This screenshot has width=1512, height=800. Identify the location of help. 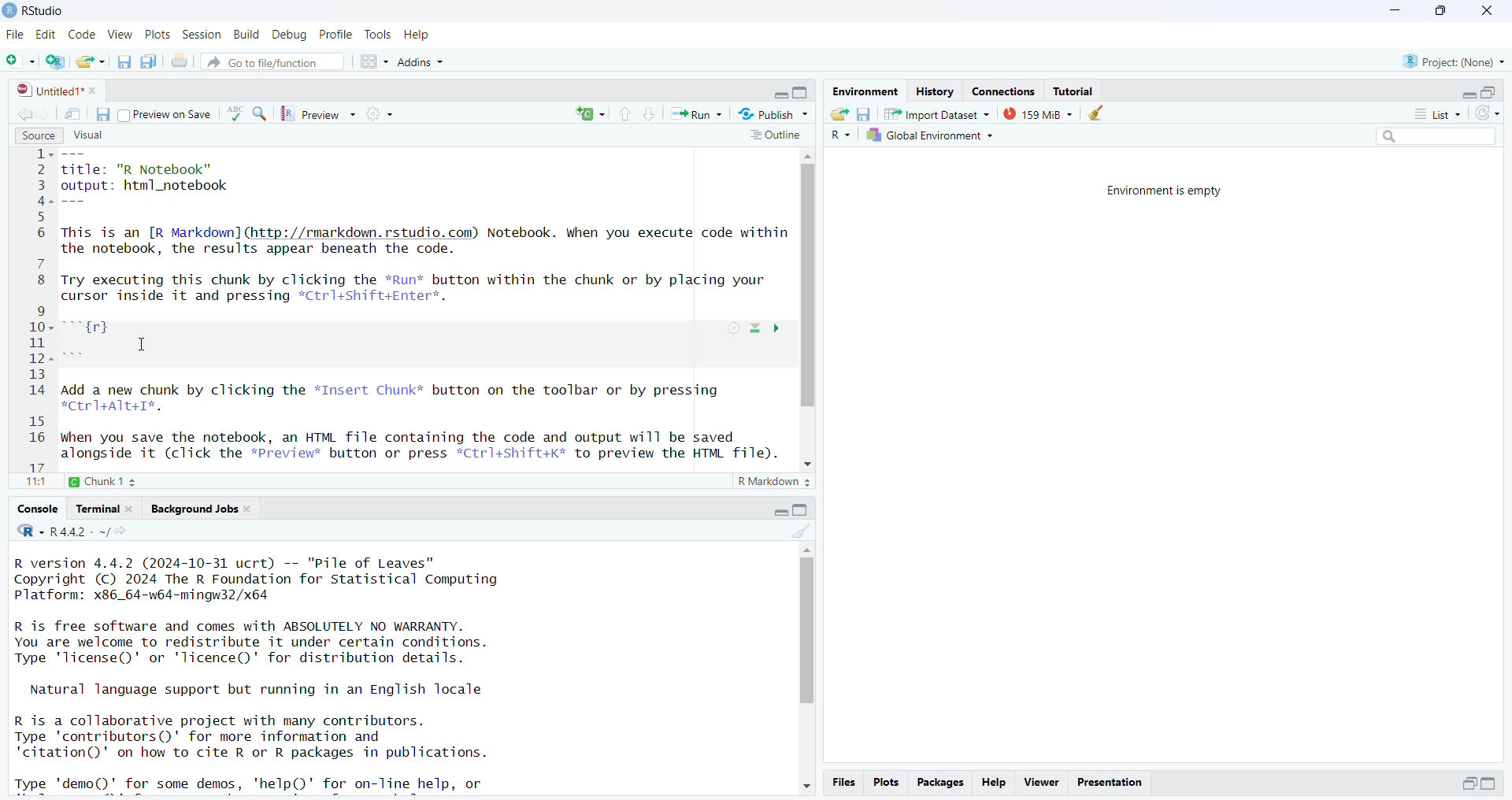
(995, 781).